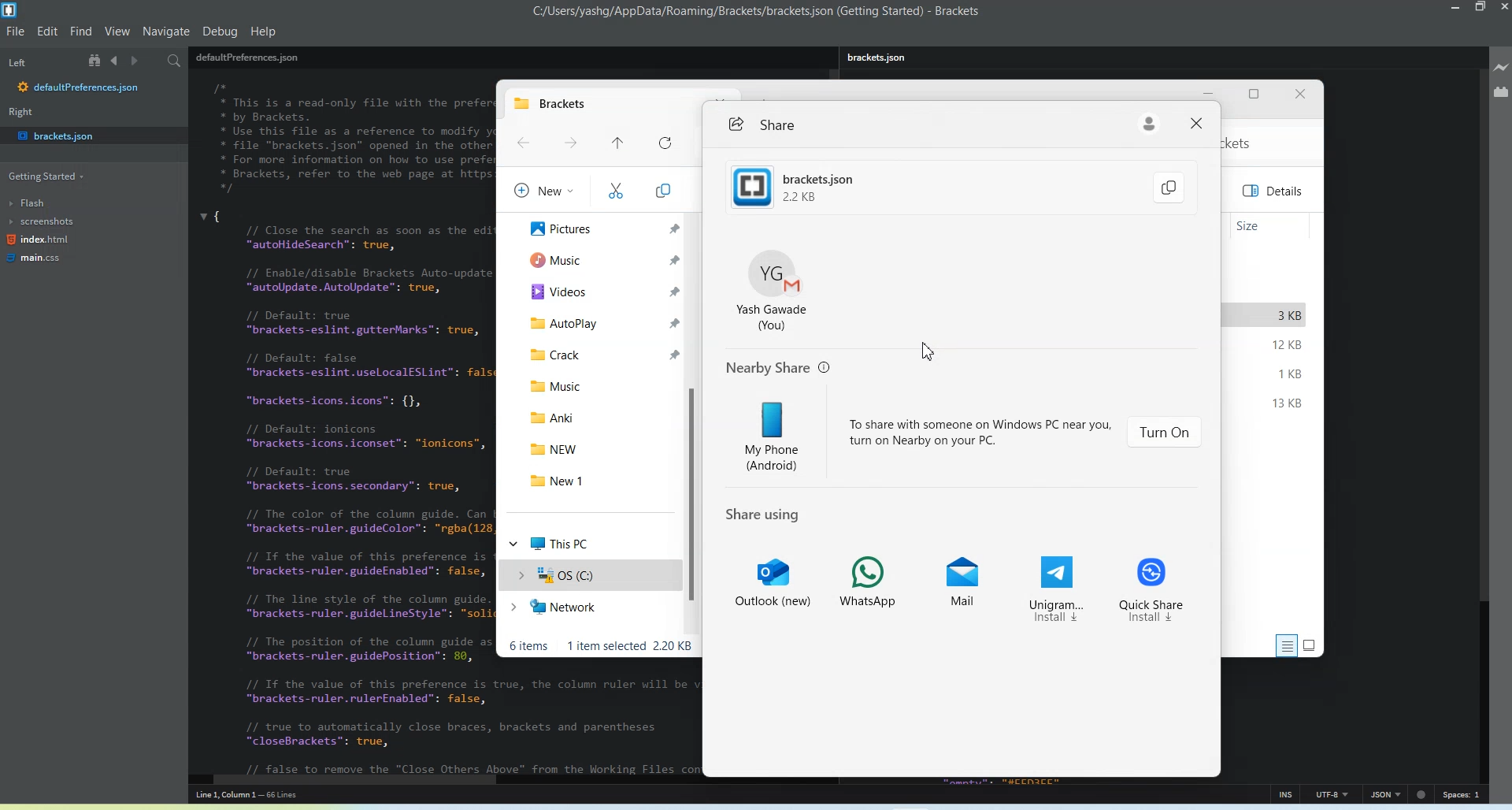 This screenshot has height=810, width=1512. What do you see at coordinates (522, 143) in the screenshot?
I see `Go Back` at bounding box center [522, 143].